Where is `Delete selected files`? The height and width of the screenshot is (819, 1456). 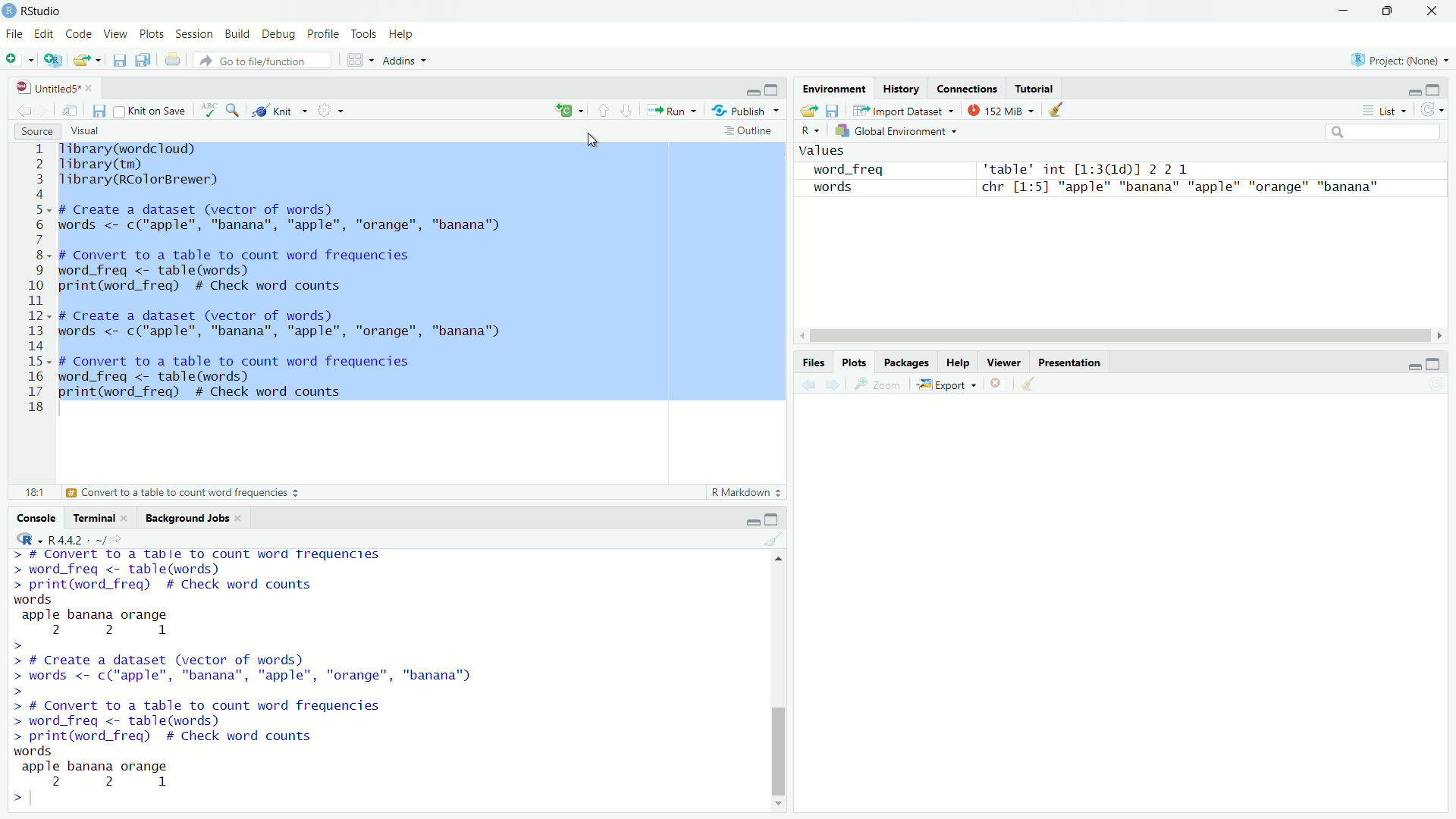
Delete selected files is located at coordinates (997, 383).